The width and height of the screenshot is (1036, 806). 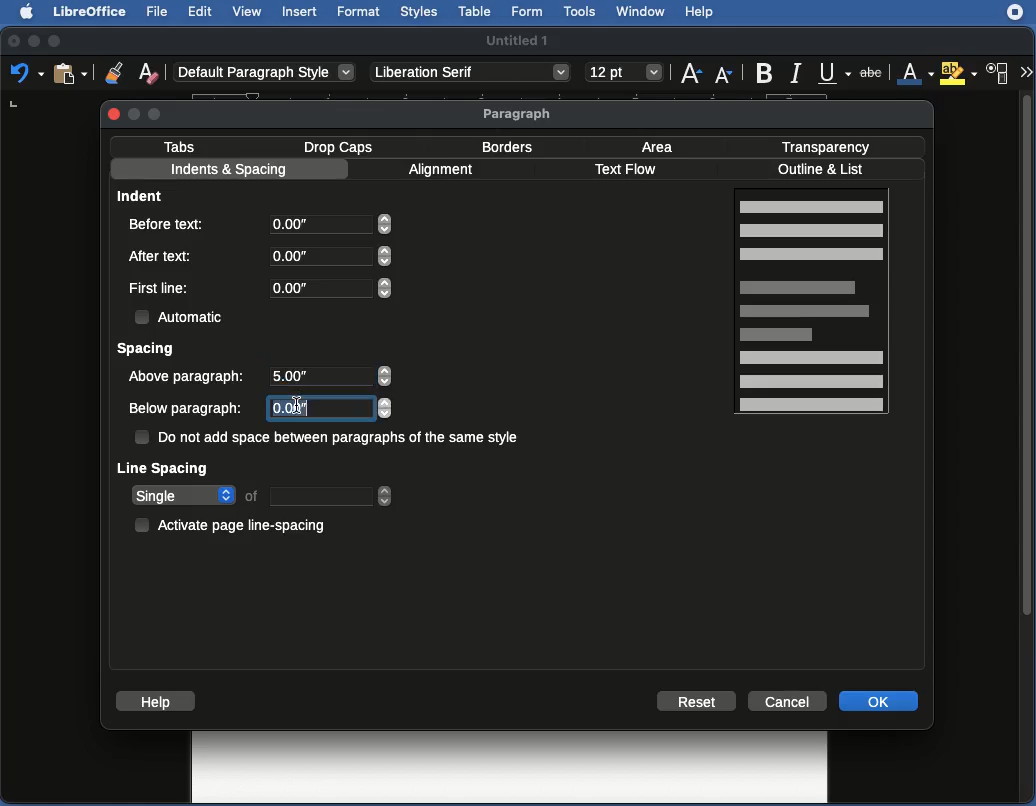 I want to click on Alignment, so click(x=444, y=172).